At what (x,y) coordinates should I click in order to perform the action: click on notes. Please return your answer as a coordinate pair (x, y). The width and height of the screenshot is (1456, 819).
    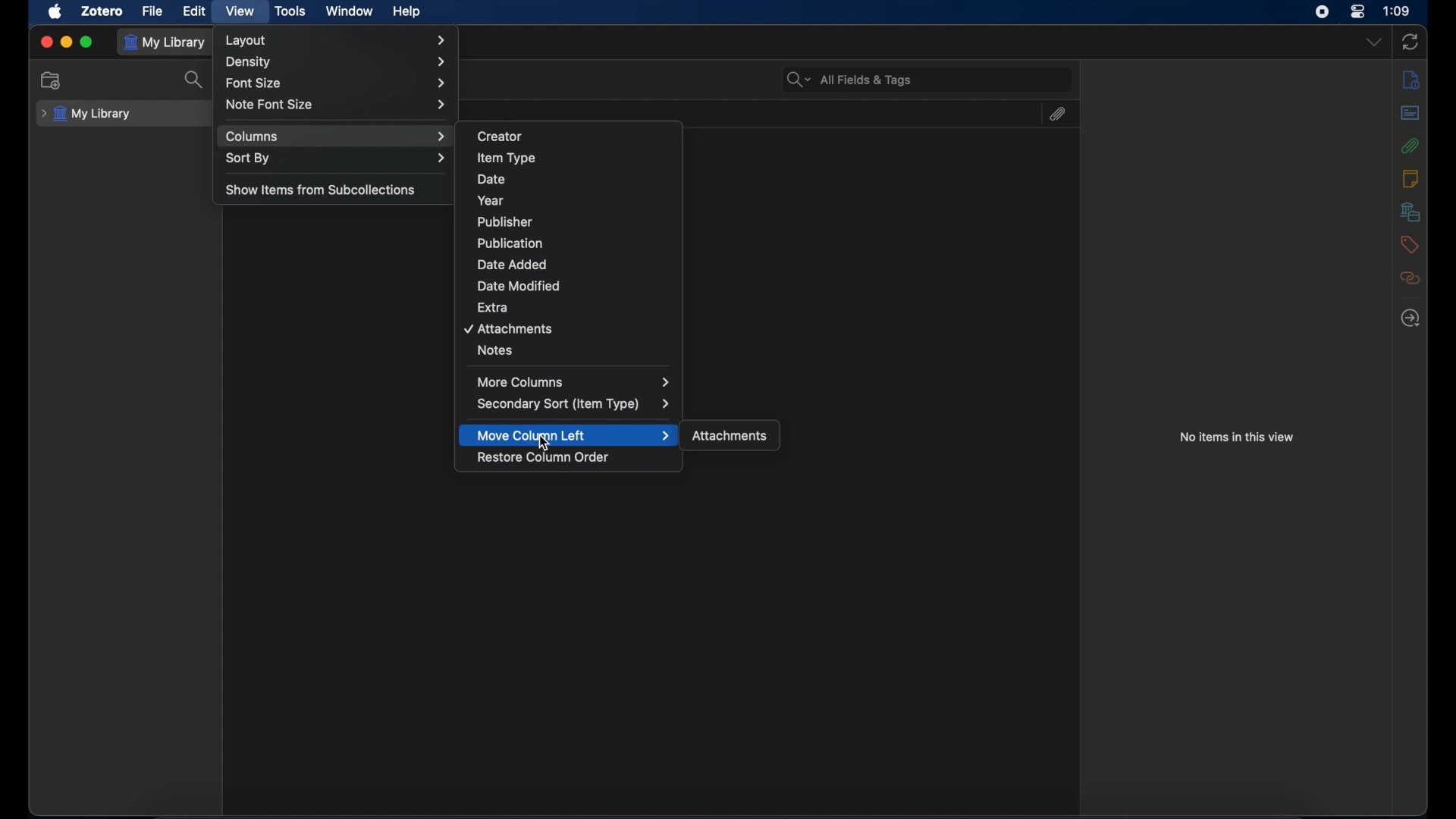
    Looking at the image, I should click on (1410, 178).